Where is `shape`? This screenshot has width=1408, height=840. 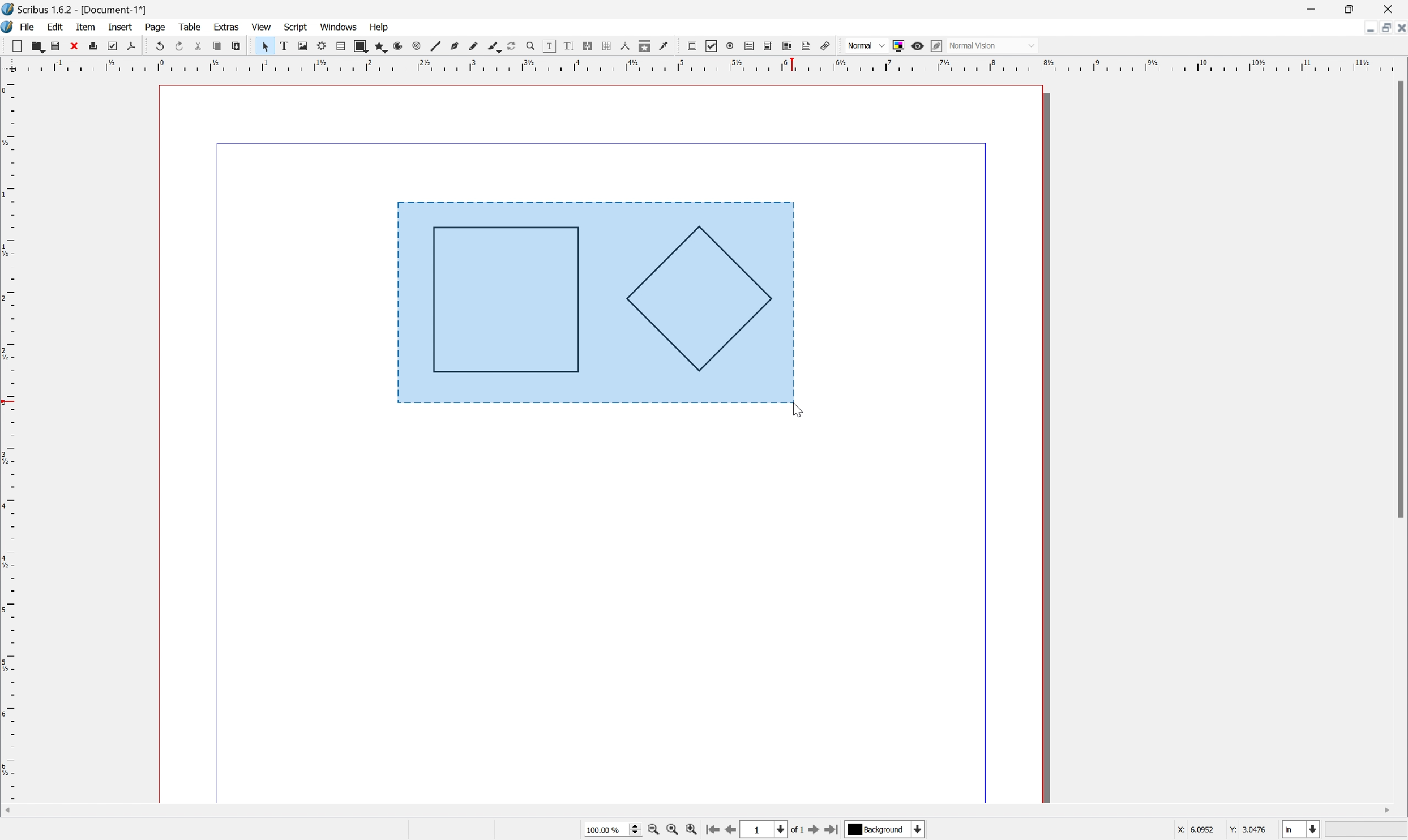
shape is located at coordinates (359, 46).